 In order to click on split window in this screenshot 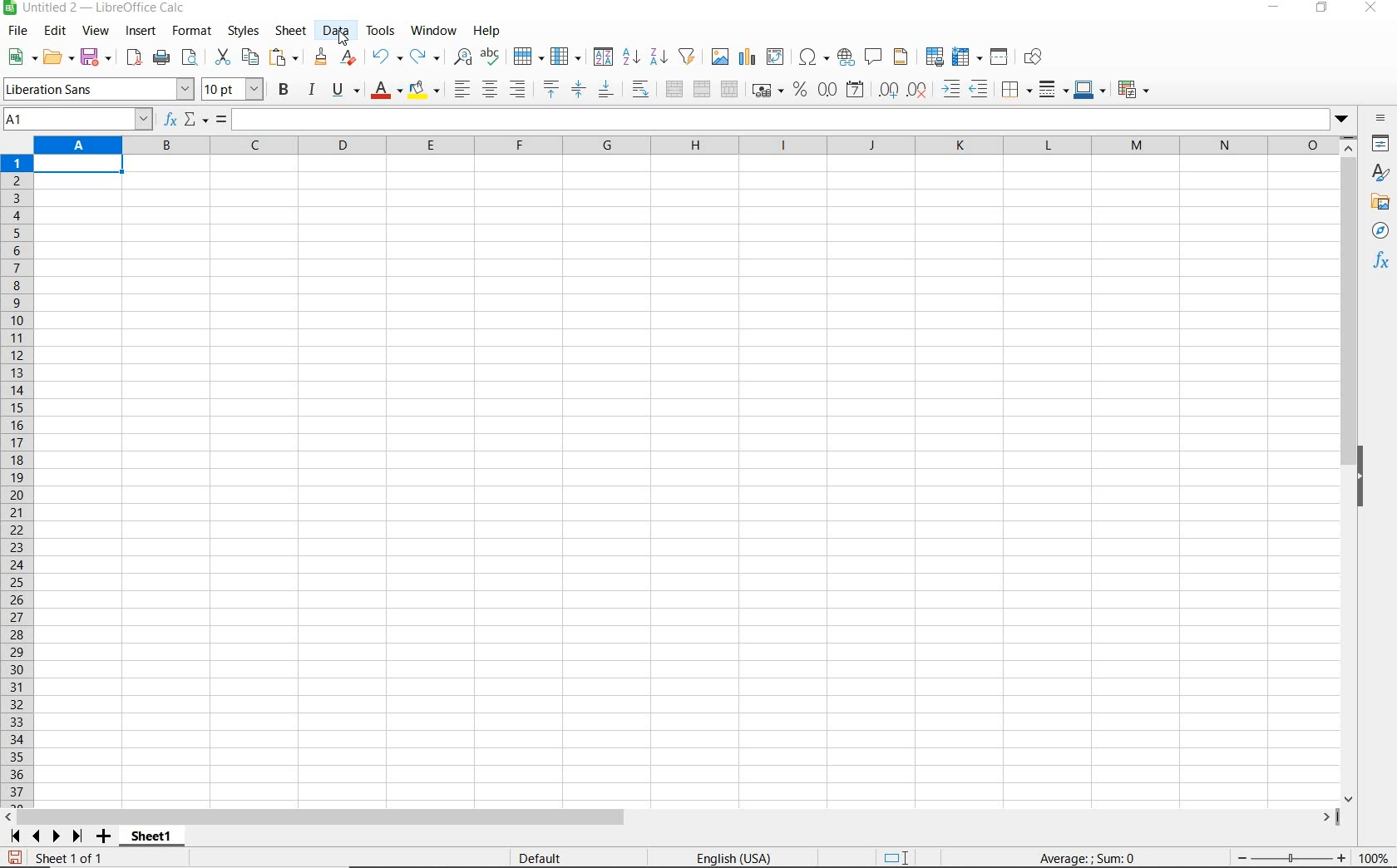, I will do `click(1000, 57)`.